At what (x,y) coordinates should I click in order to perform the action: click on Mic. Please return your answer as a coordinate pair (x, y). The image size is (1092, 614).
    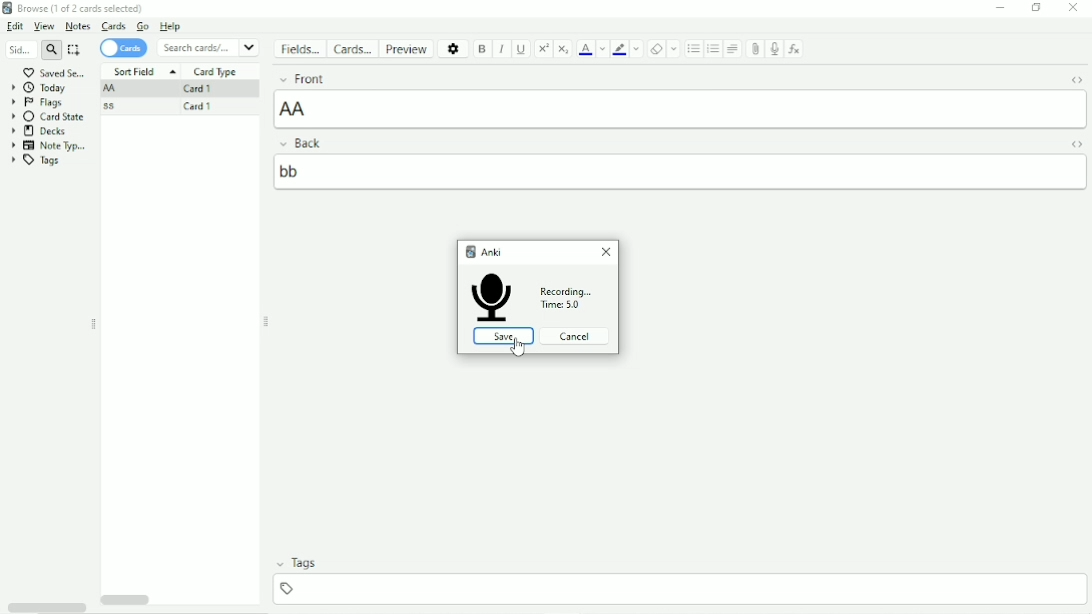
    Looking at the image, I should click on (488, 297).